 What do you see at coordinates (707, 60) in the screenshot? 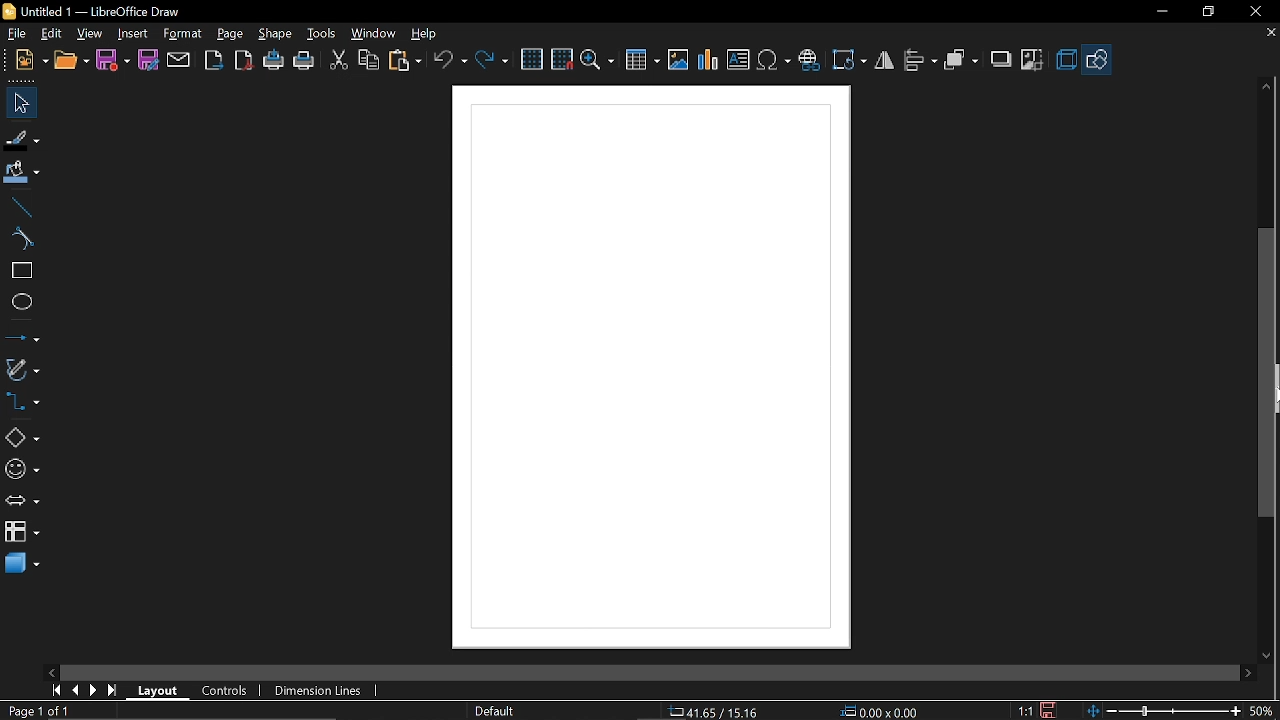
I see `Insert chart` at bounding box center [707, 60].